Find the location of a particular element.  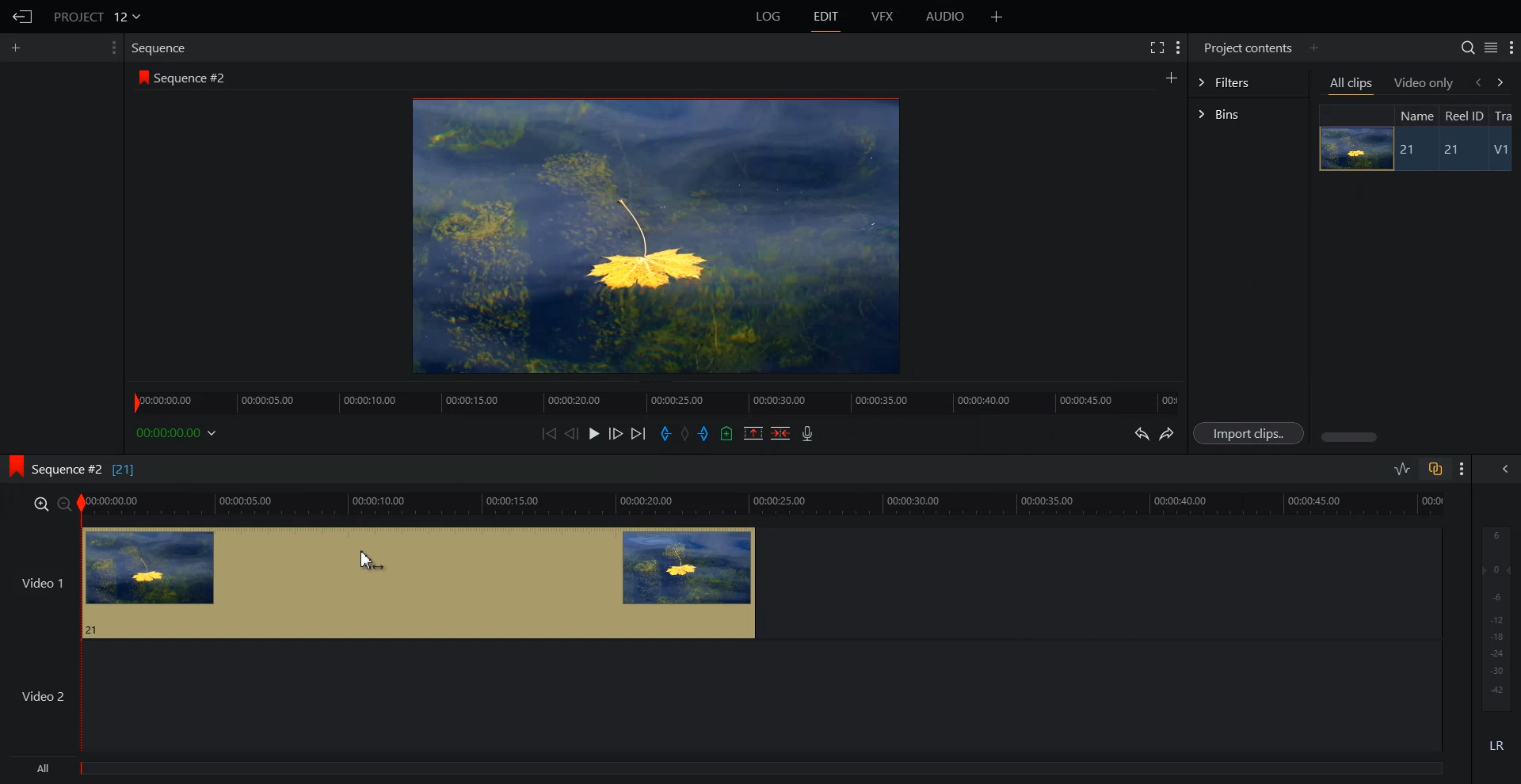

VFX is located at coordinates (883, 17).